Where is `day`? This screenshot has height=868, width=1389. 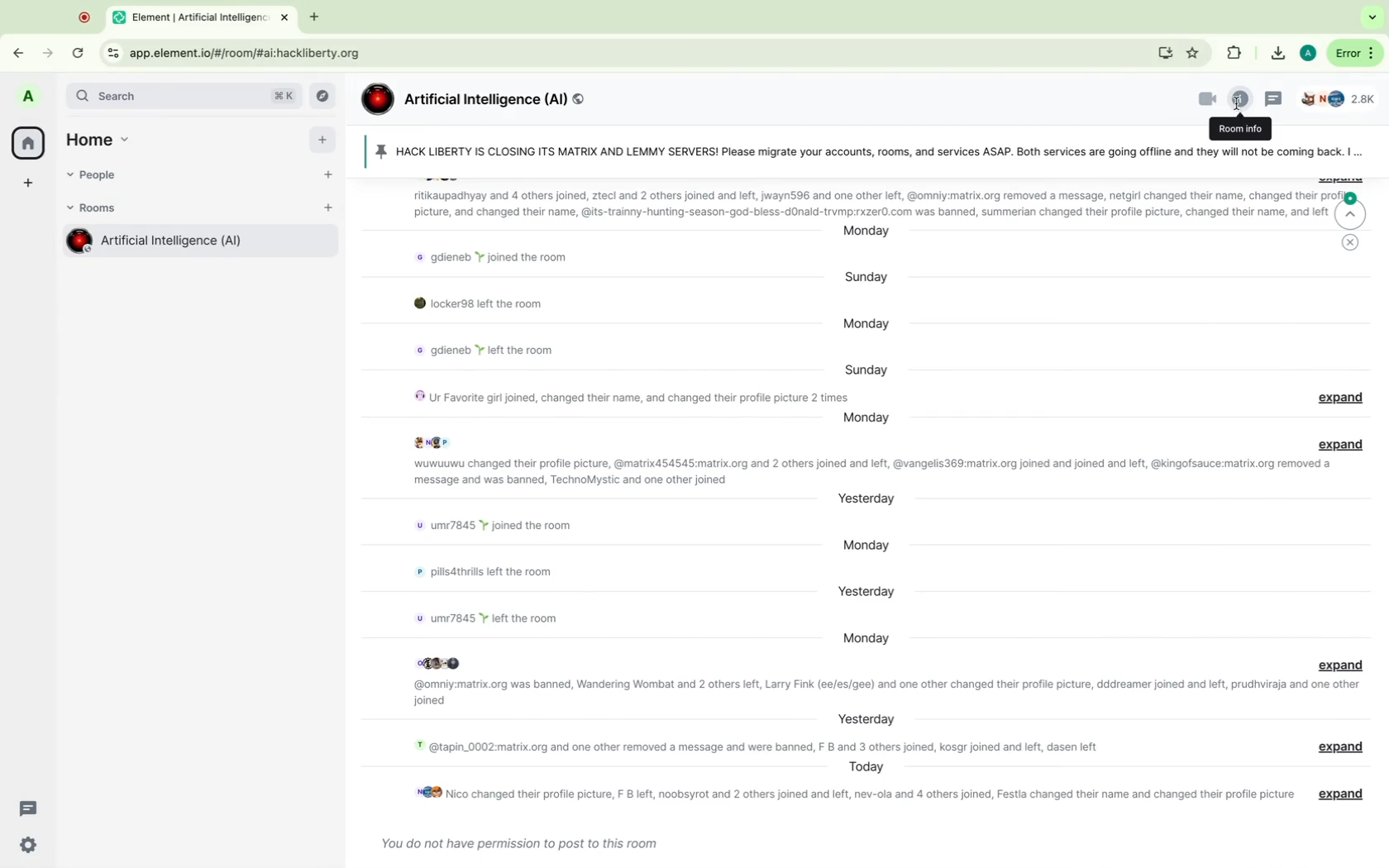 day is located at coordinates (867, 278).